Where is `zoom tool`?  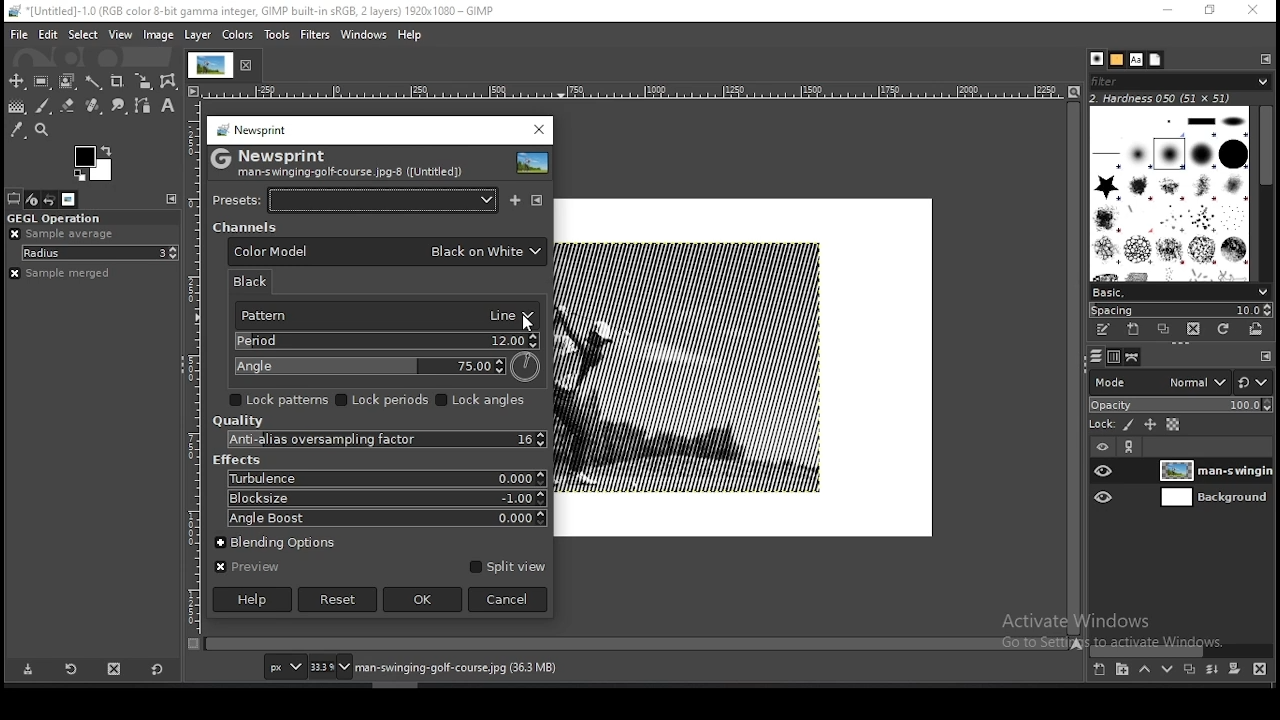
zoom tool is located at coordinates (41, 129).